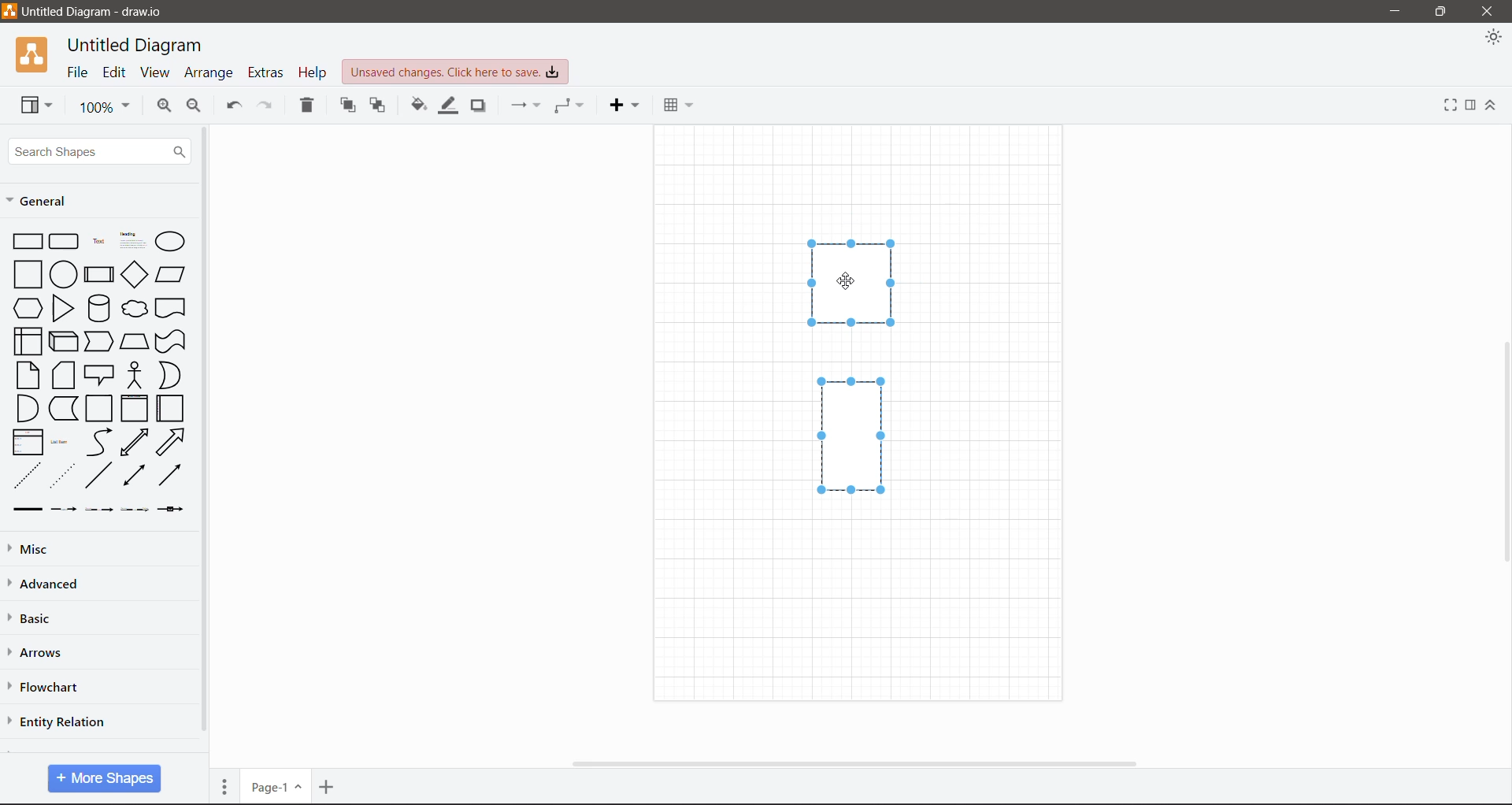 This screenshot has width=1512, height=805. What do you see at coordinates (54, 584) in the screenshot?
I see `Advanced` at bounding box center [54, 584].